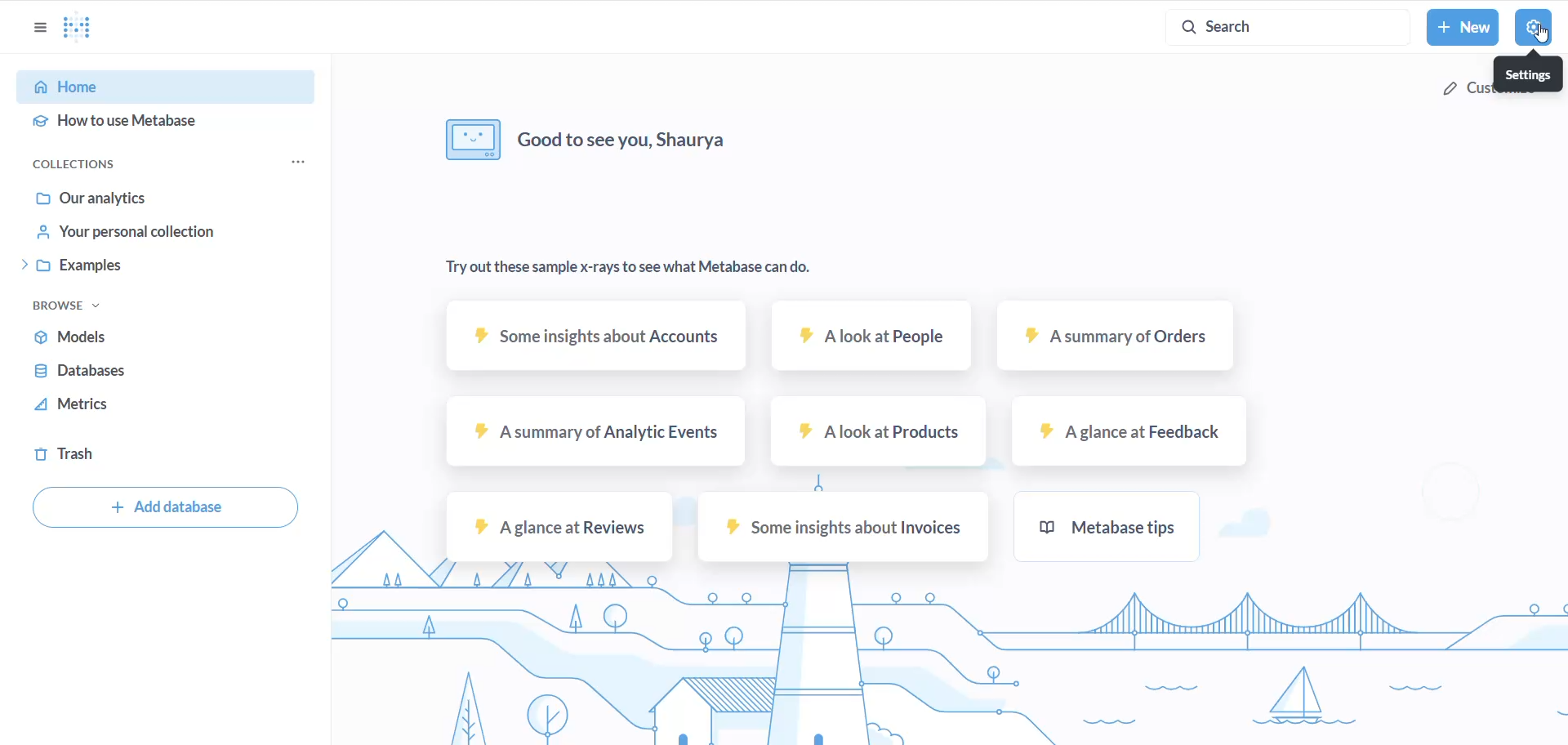  Describe the element at coordinates (594, 337) in the screenshot. I see `SOME INSIGHTS ABOUT ACCOUNTS` at that location.